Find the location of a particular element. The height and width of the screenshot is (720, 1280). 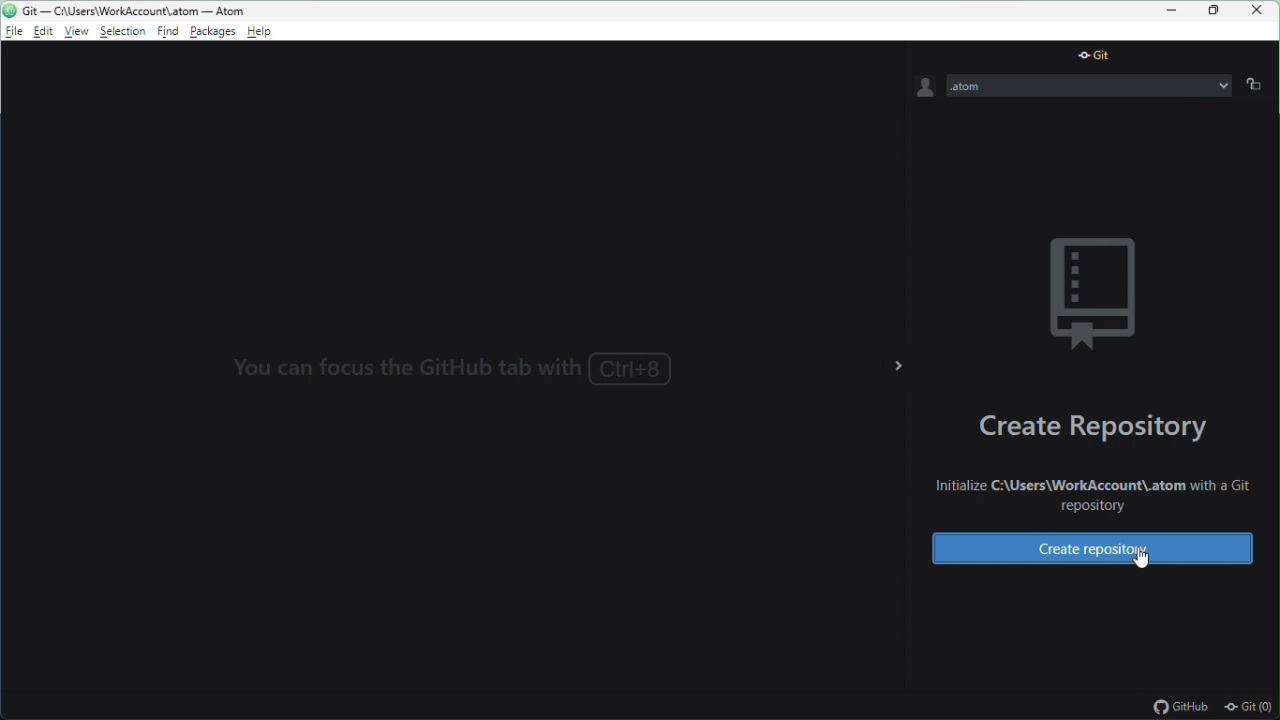

You can focus the GitHub tab with Ctrl+8 is located at coordinates (454, 373).